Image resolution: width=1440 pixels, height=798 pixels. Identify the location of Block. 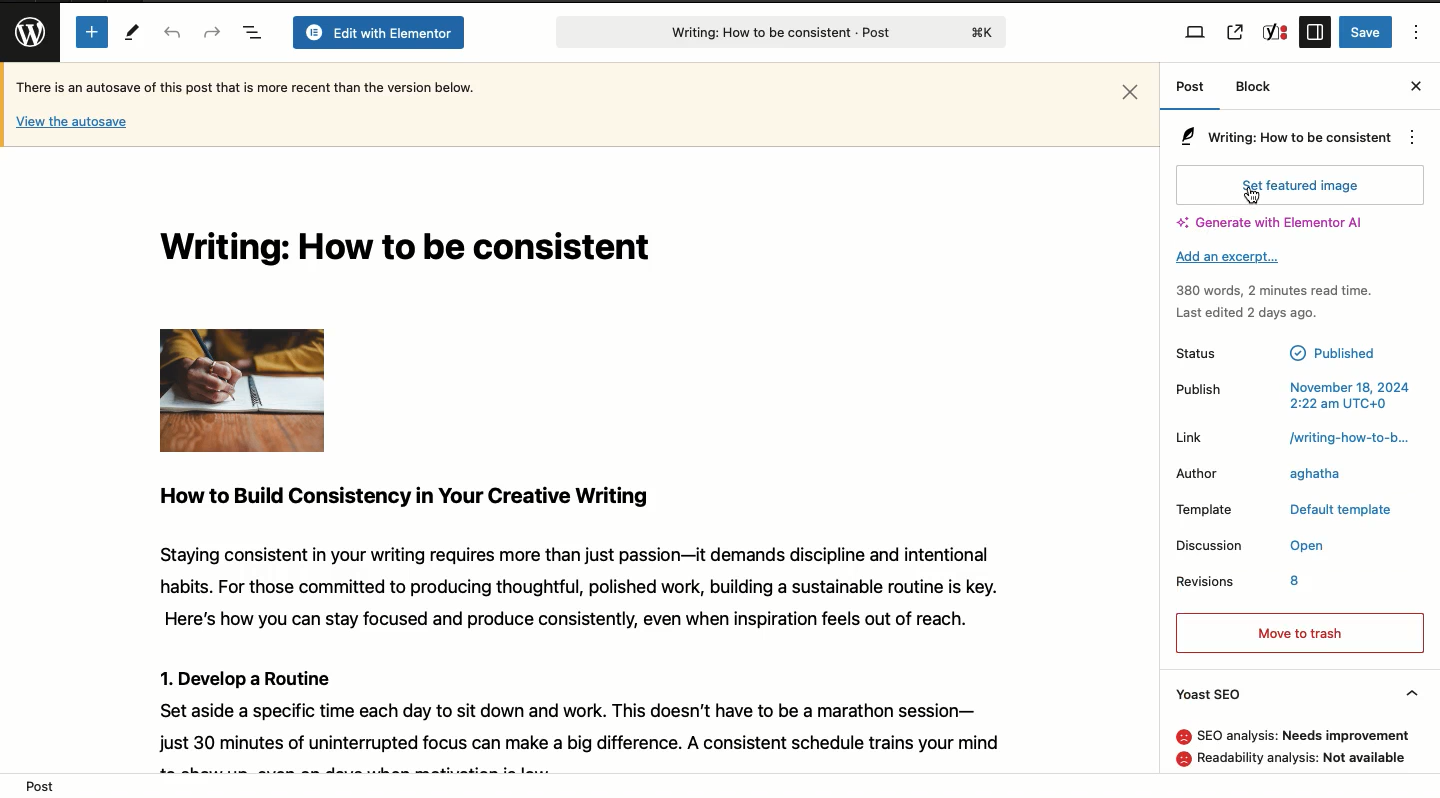
(1253, 87).